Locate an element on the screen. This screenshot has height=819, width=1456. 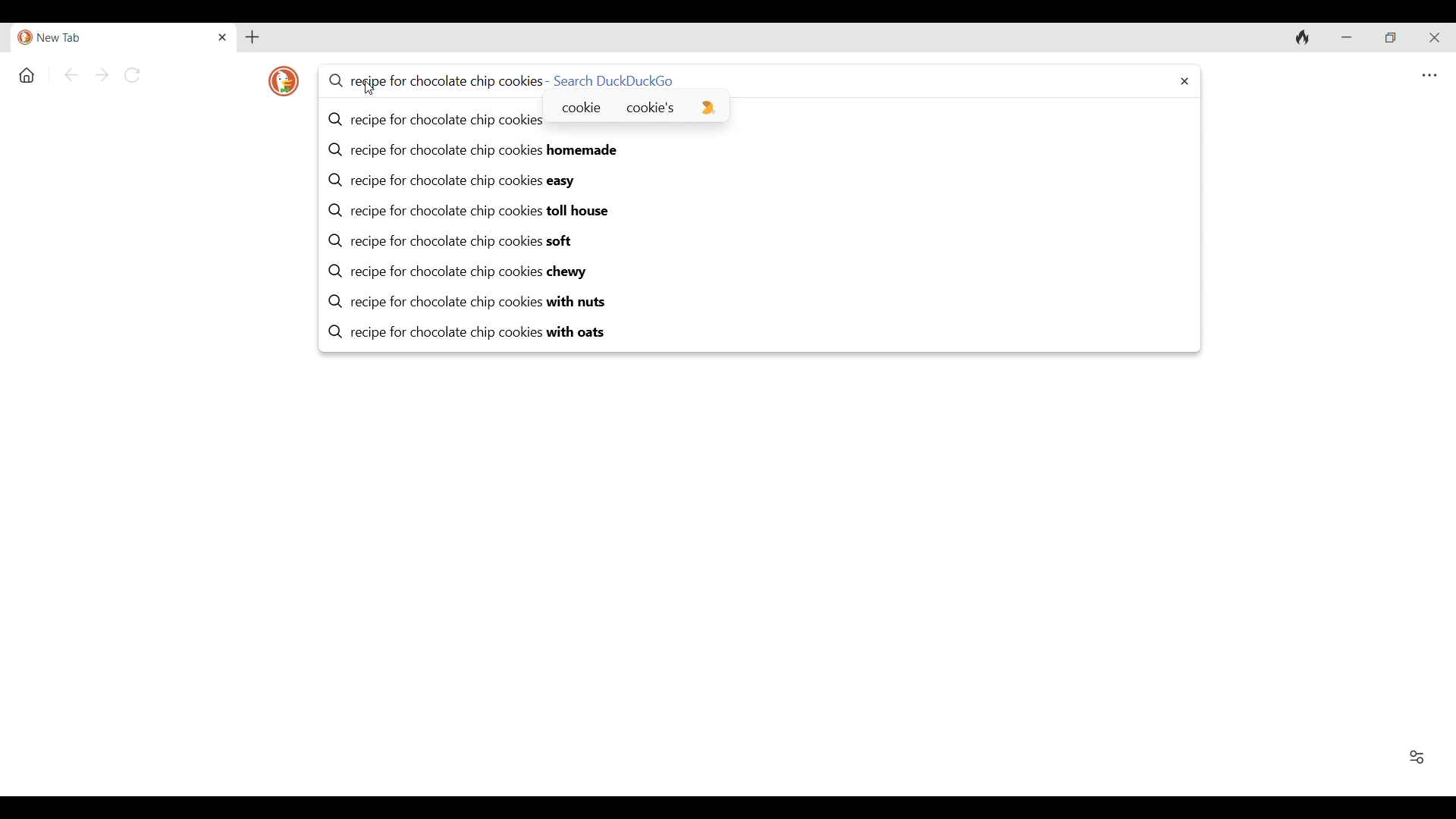
Browser logo is located at coordinates (283, 82).